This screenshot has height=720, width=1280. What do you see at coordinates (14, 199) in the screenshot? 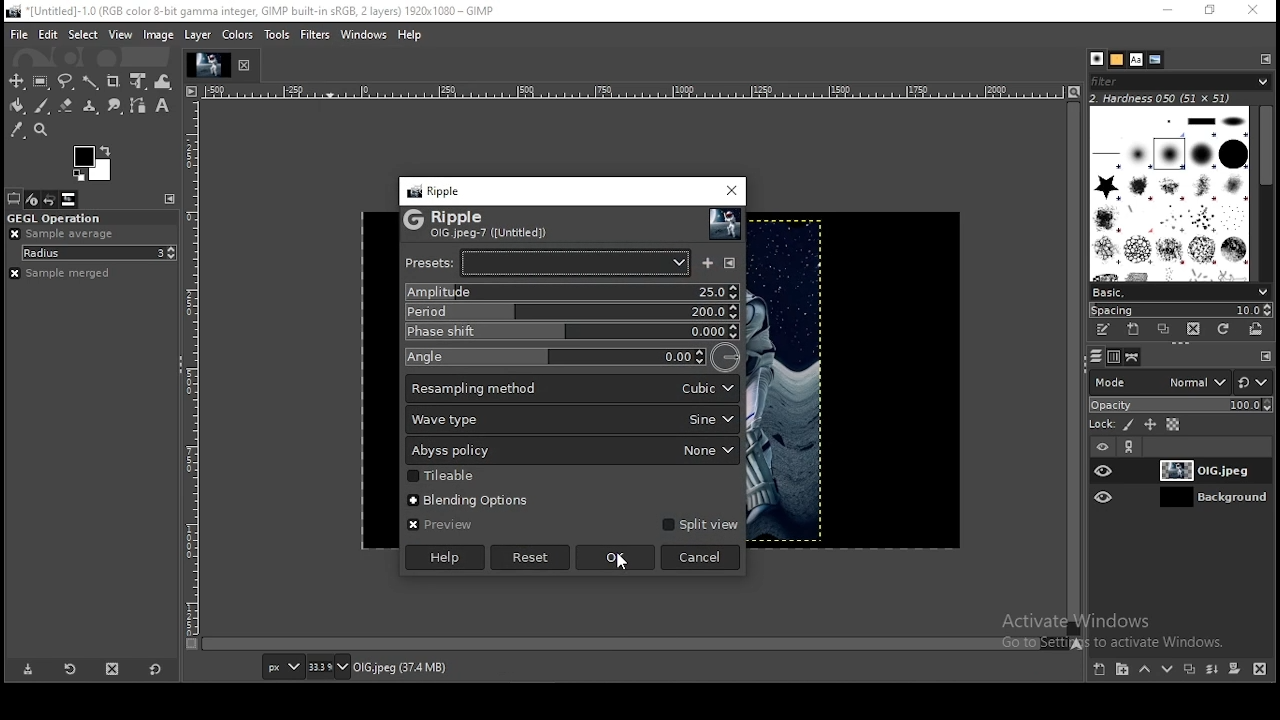
I see `tool option` at bounding box center [14, 199].